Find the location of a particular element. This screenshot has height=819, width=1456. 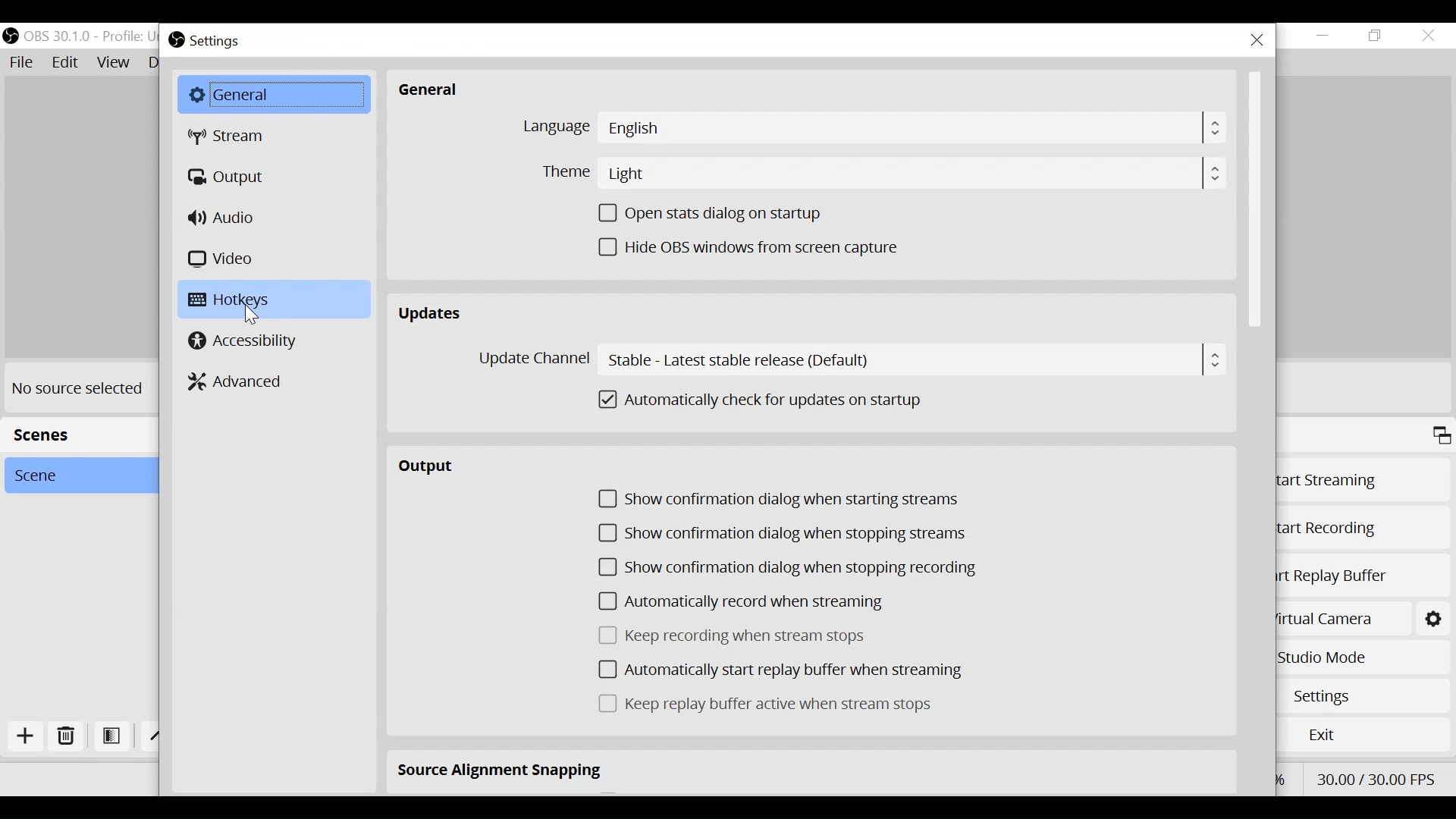

Vertical Scroll bar is located at coordinates (1255, 199).